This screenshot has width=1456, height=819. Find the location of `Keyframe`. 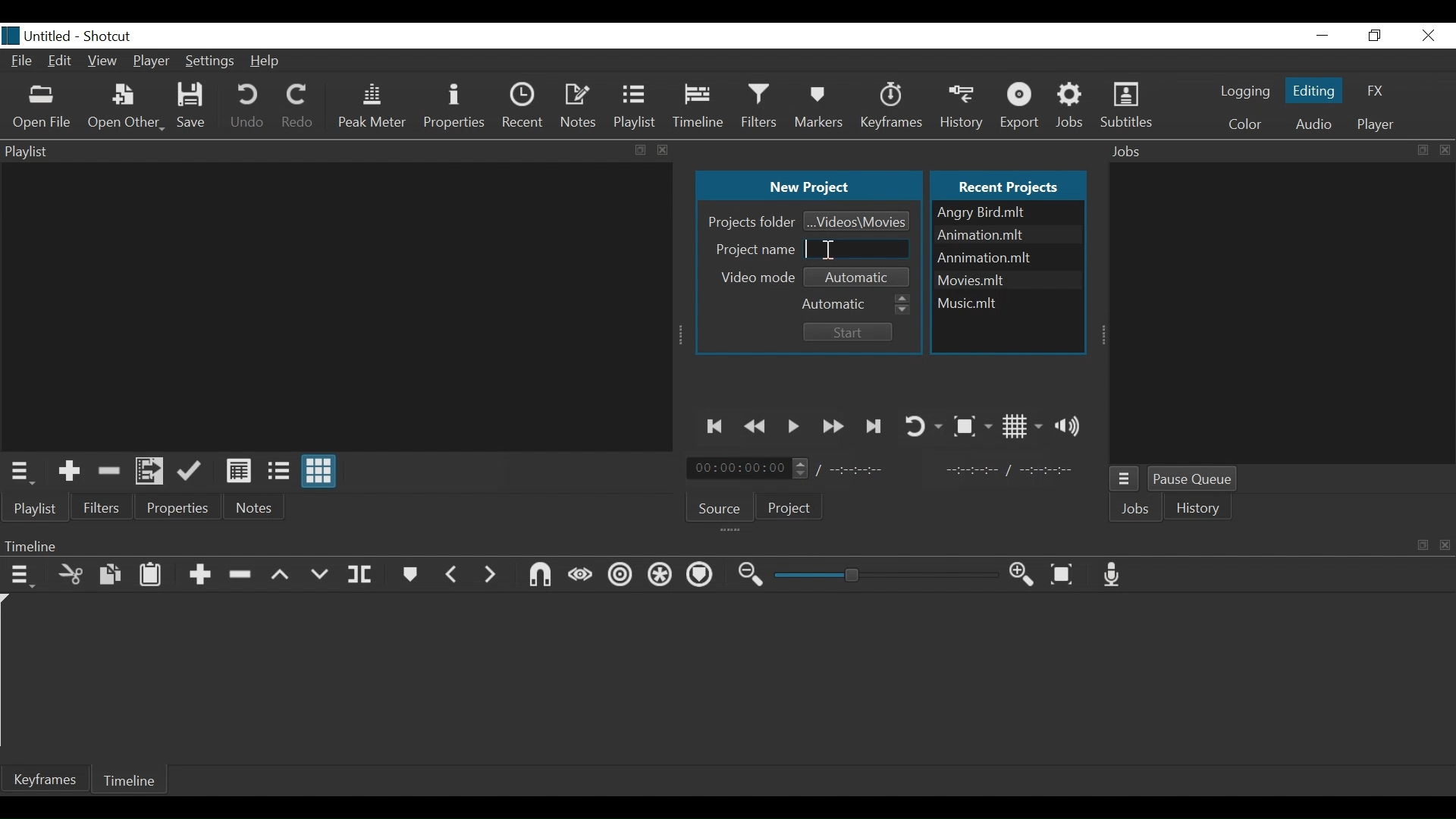

Keyframe is located at coordinates (893, 106).